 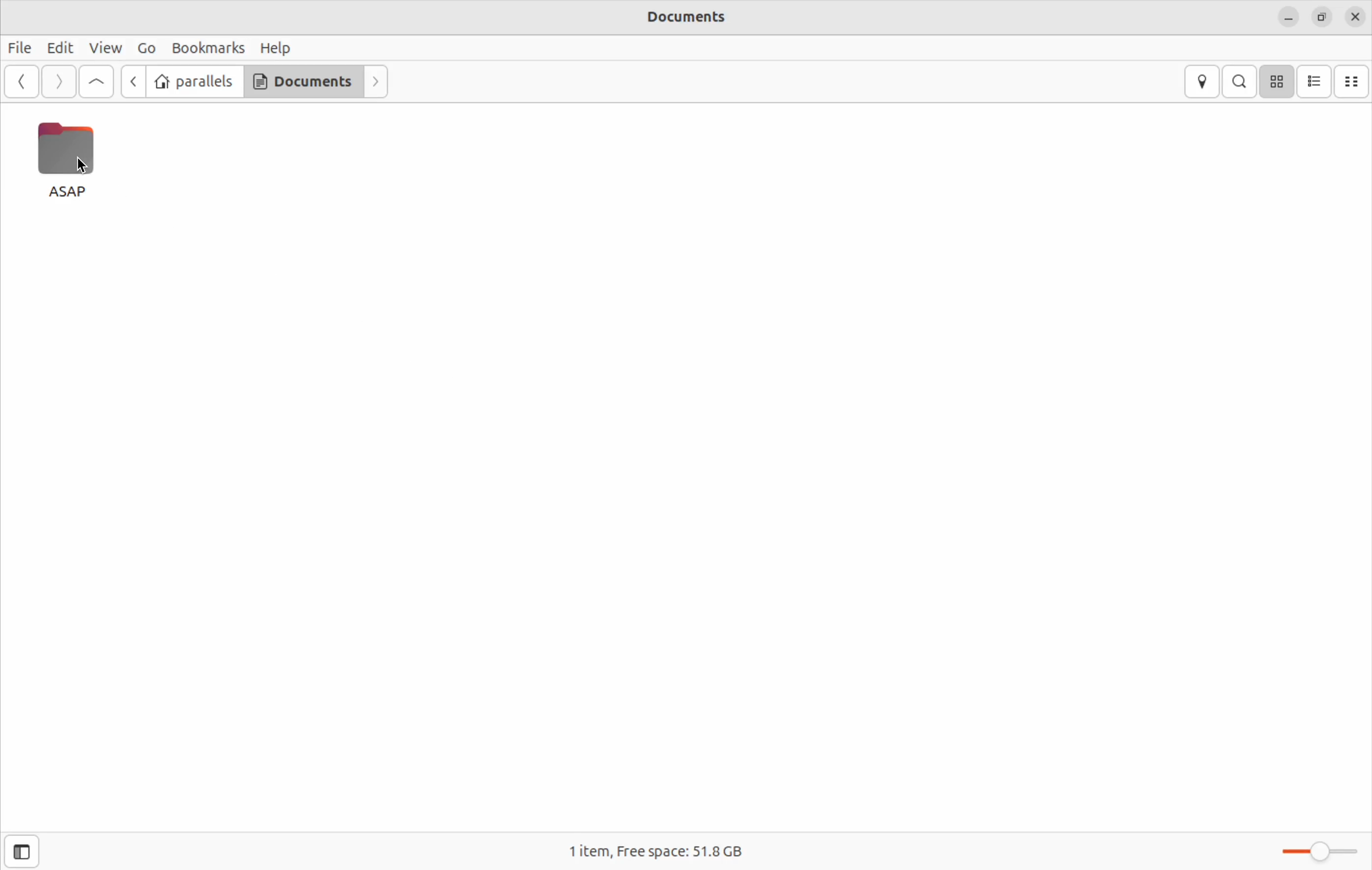 What do you see at coordinates (88, 167) in the screenshot?
I see `cursor` at bounding box center [88, 167].